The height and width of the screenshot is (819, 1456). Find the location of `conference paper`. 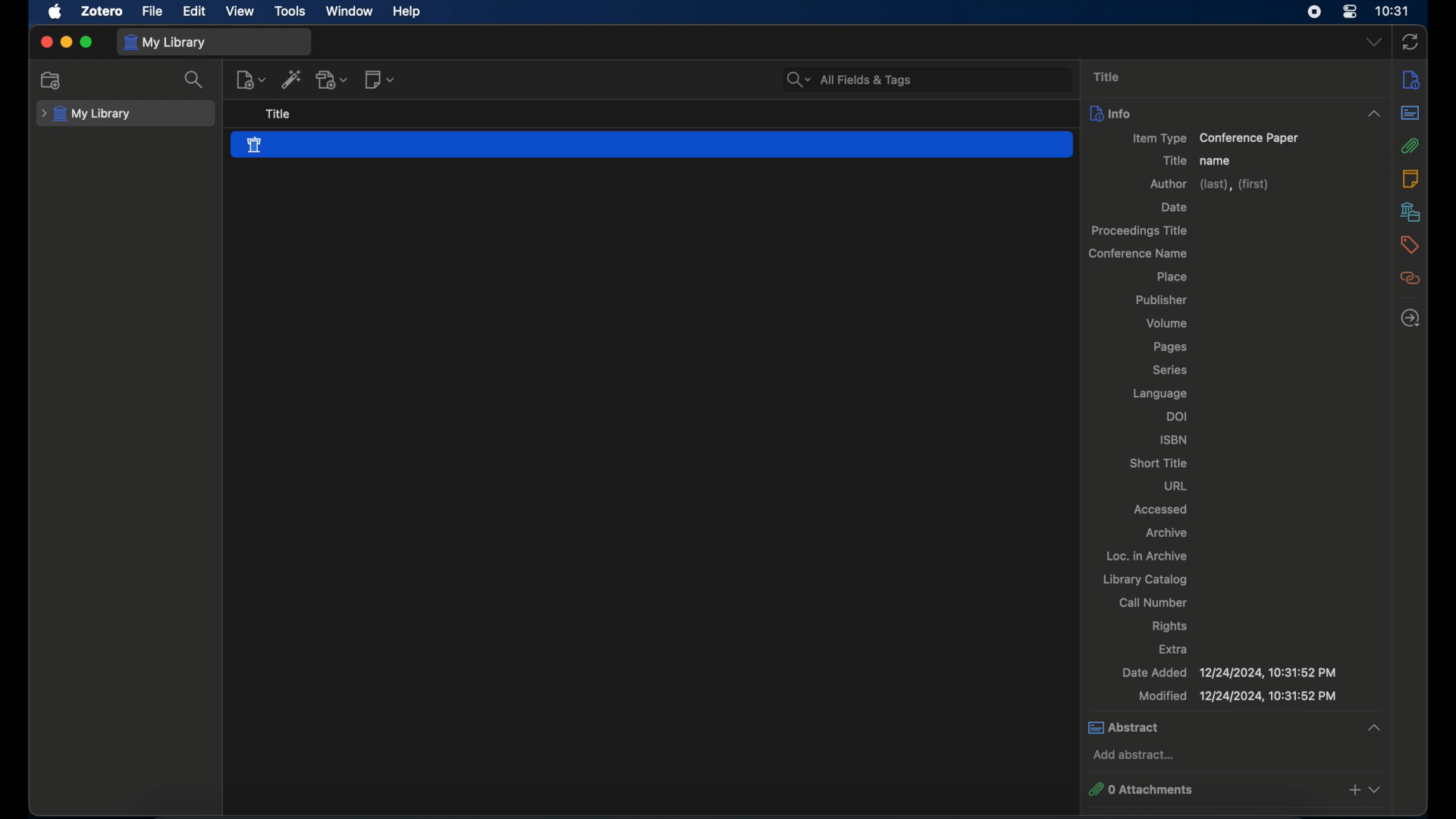

conference paper is located at coordinates (652, 146).